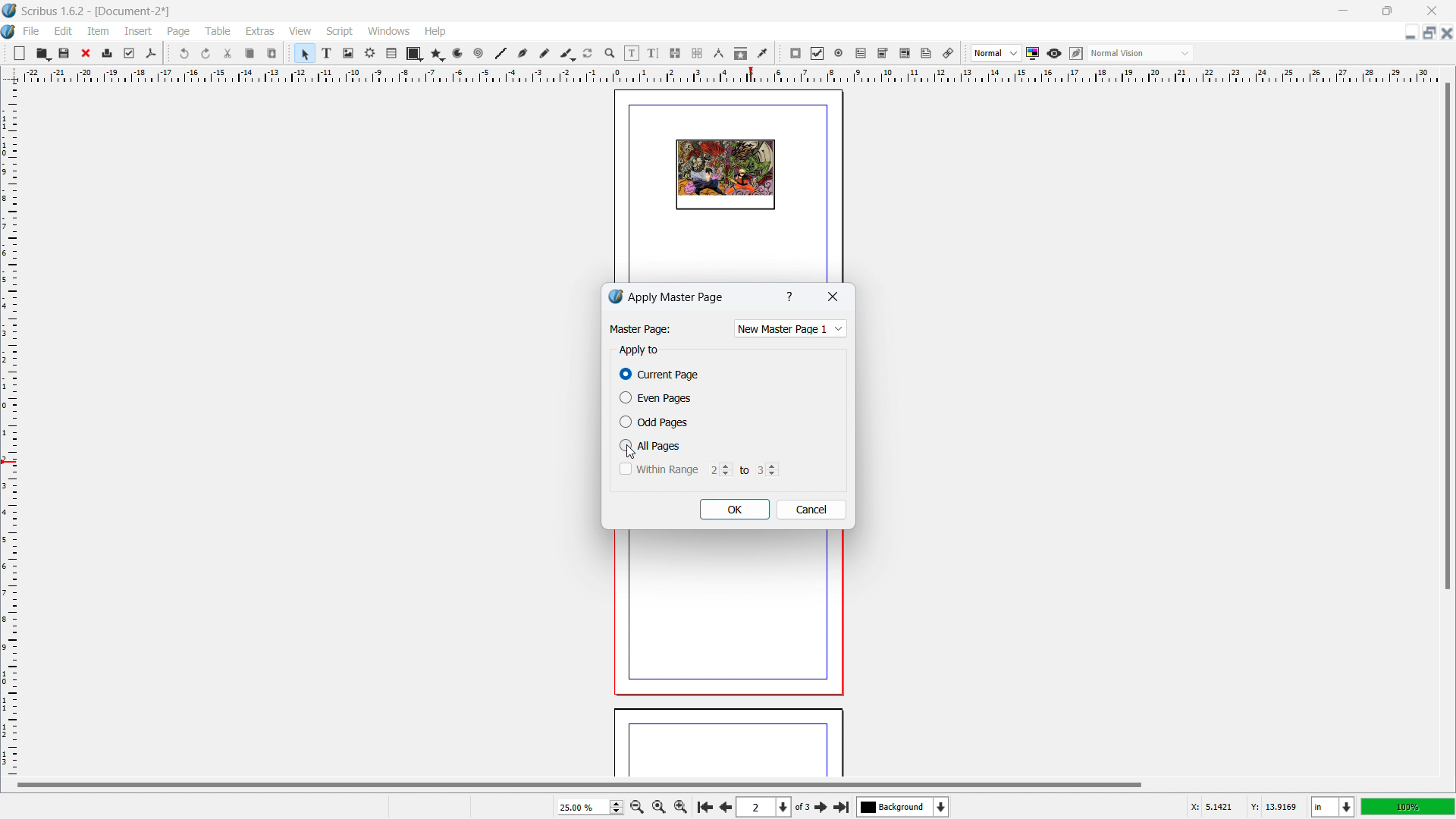  What do you see at coordinates (677, 297) in the screenshot?
I see `apply master page` at bounding box center [677, 297].